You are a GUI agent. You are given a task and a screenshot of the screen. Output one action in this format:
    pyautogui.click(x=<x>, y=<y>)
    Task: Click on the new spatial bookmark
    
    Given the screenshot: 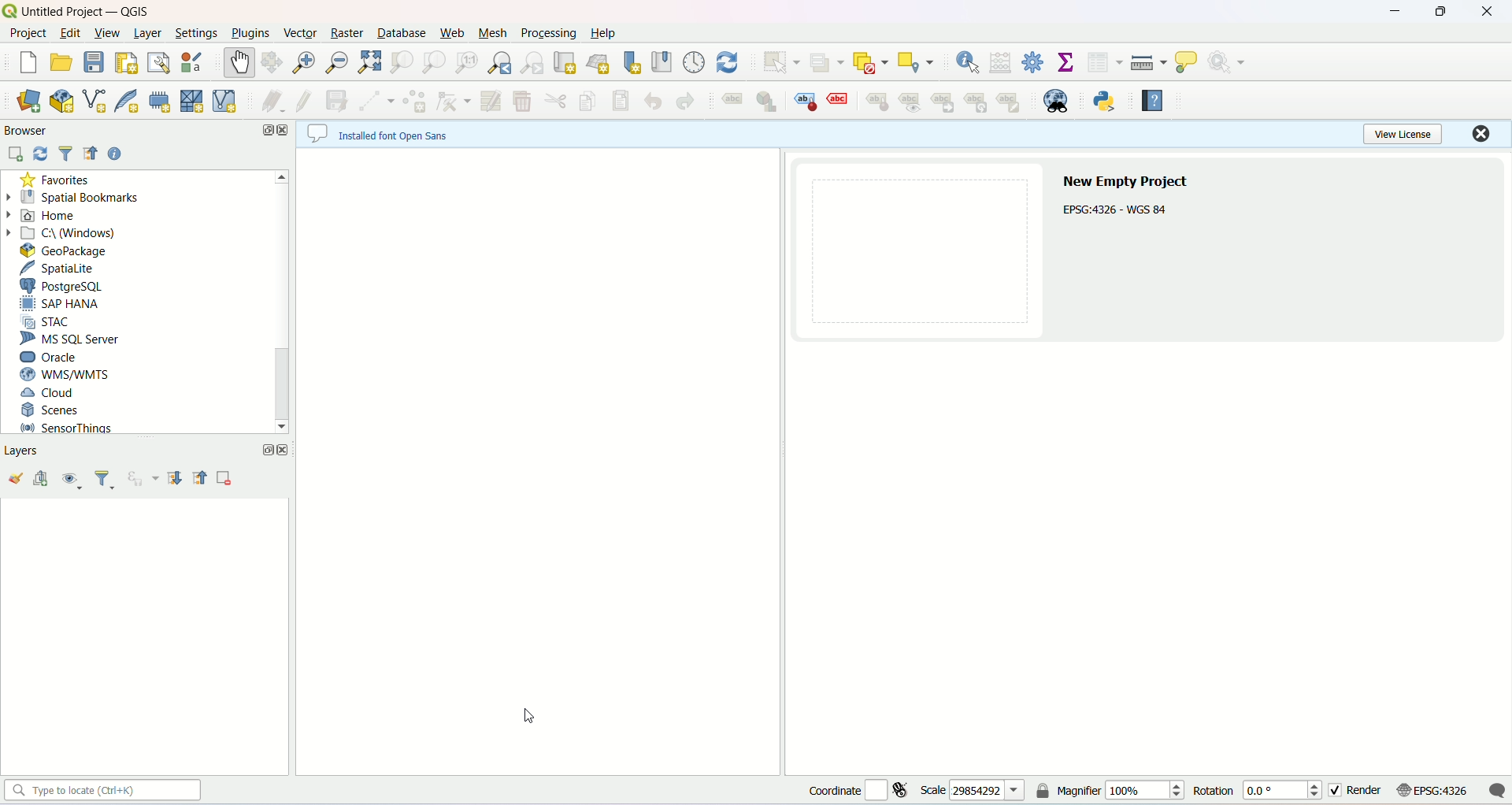 What is the action you would take?
    pyautogui.click(x=632, y=61)
    